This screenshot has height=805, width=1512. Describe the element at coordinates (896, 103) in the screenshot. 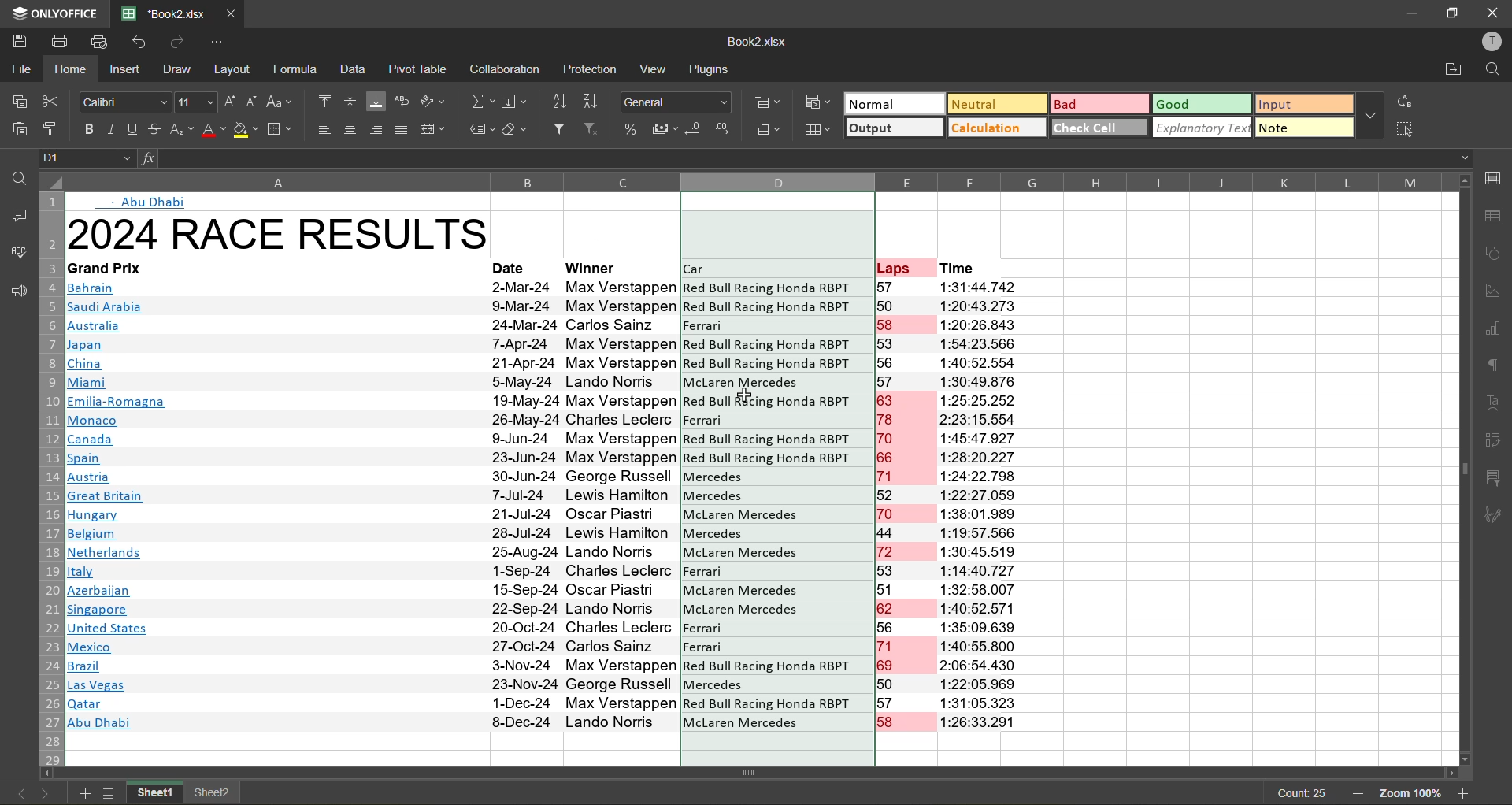

I see `normal` at that location.